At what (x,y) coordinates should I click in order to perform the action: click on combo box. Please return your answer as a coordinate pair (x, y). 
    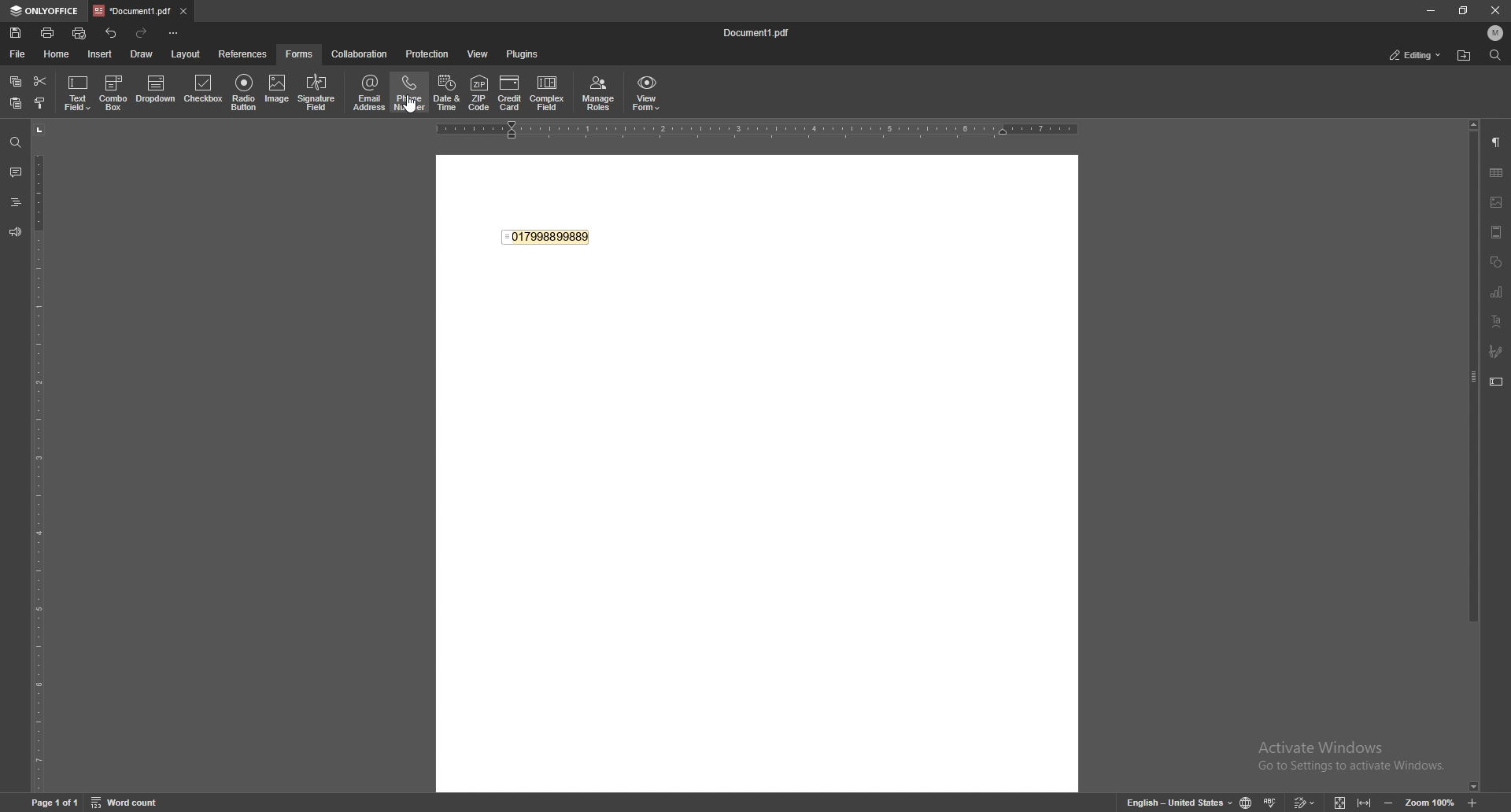
    Looking at the image, I should click on (114, 91).